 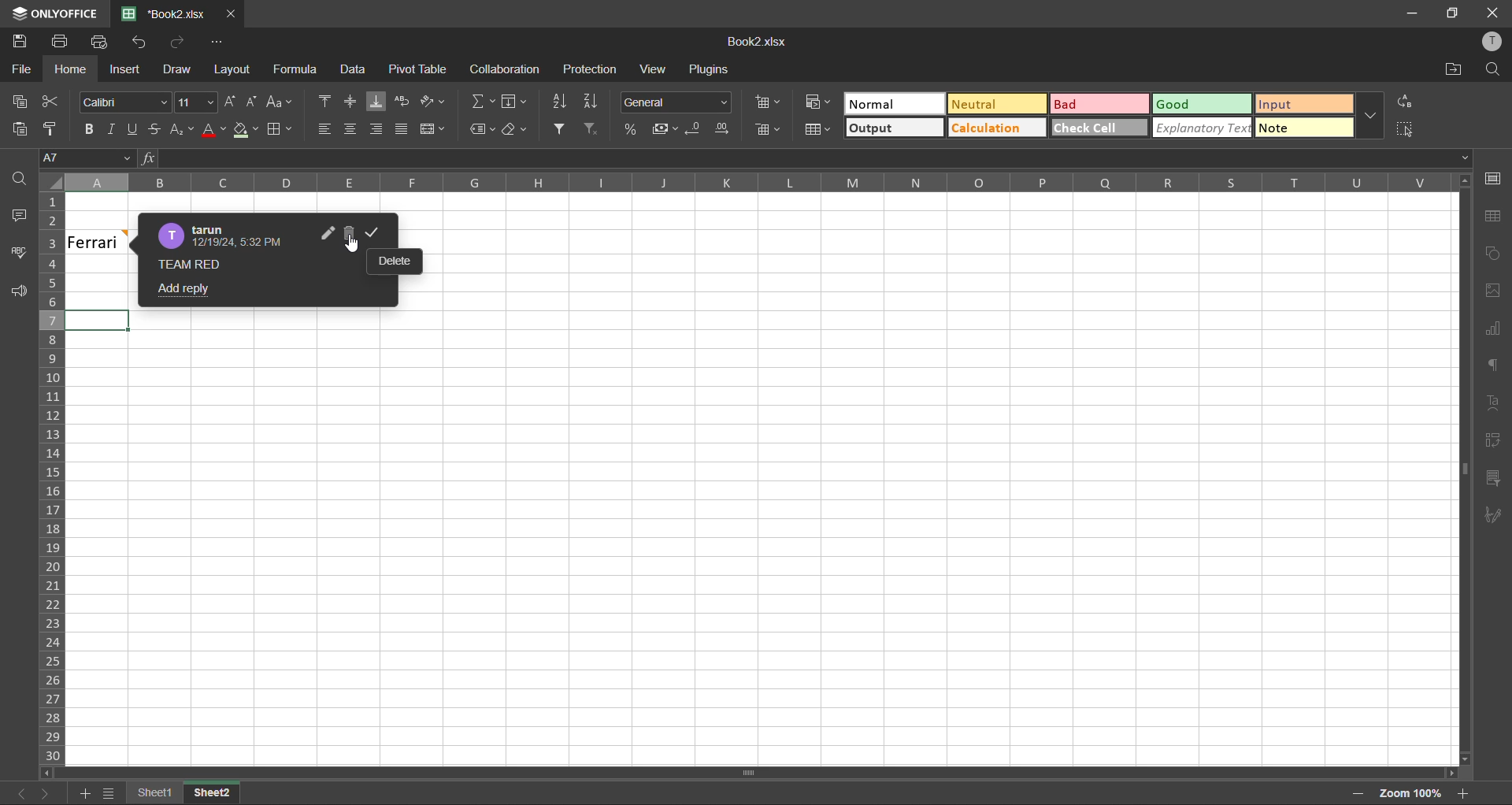 What do you see at coordinates (179, 129) in the screenshot?
I see `sub/superscript` at bounding box center [179, 129].